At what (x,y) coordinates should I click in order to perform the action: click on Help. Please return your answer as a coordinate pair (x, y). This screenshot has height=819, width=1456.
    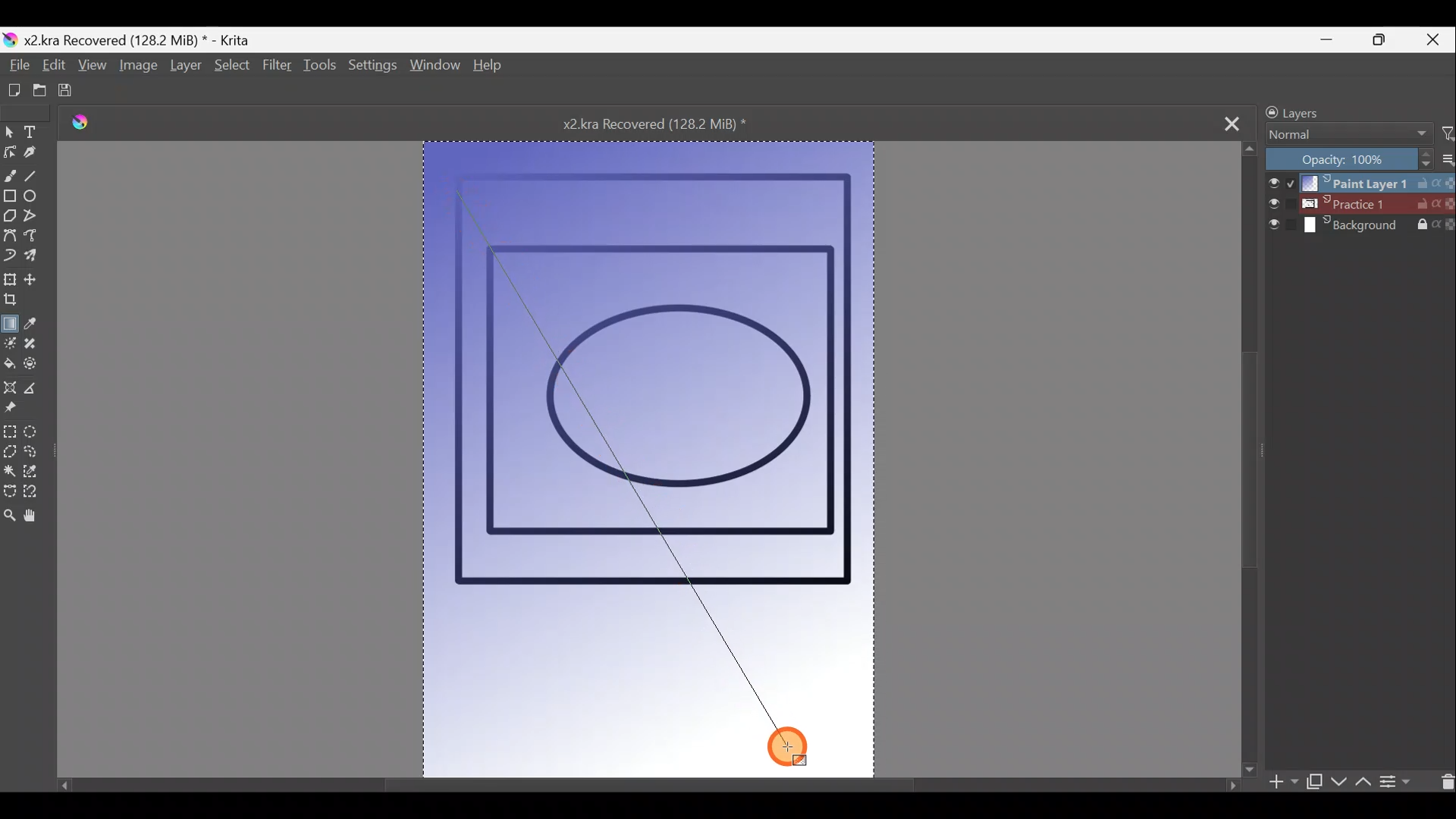
    Looking at the image, I should click on (488, 67).